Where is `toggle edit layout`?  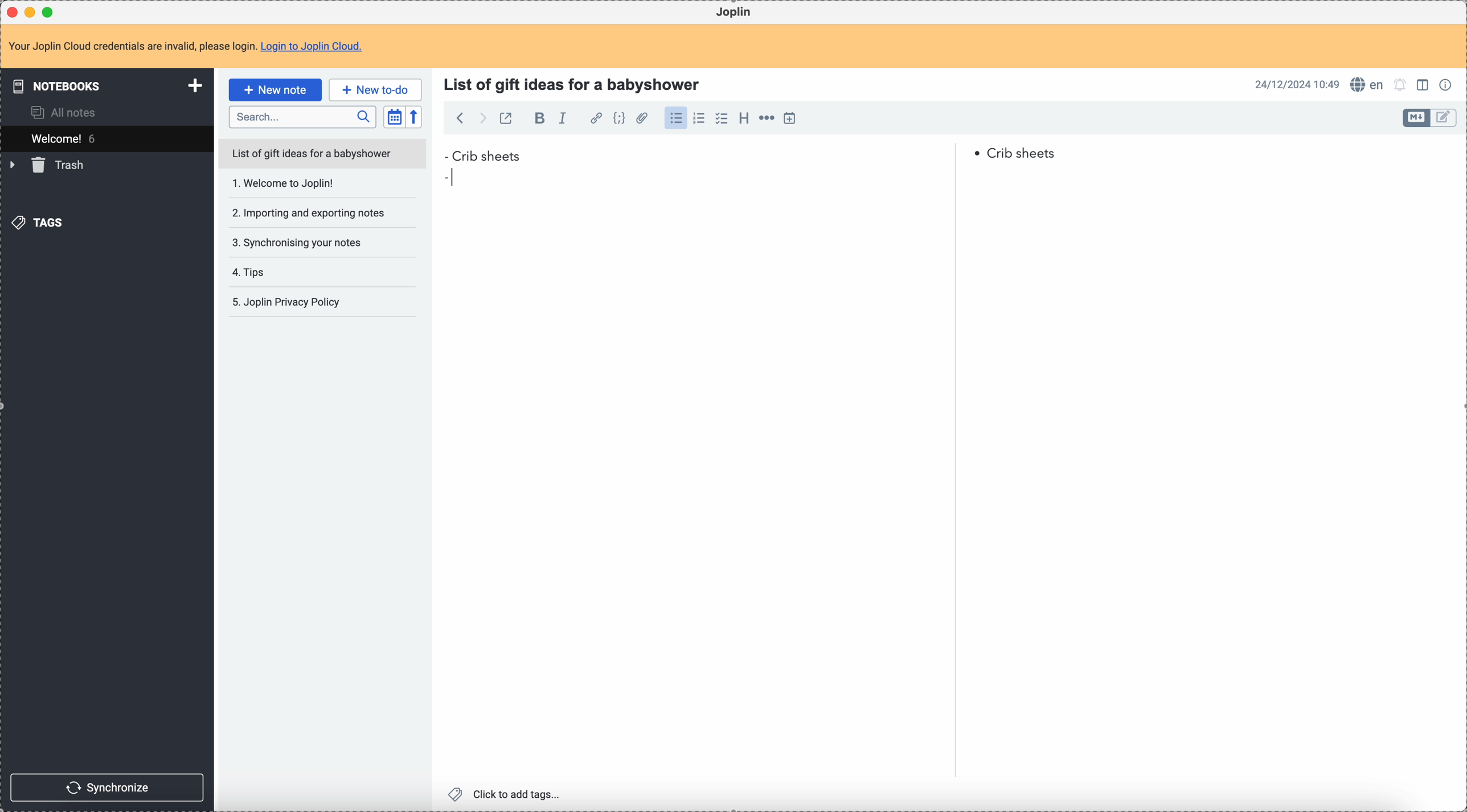
toggle edit layout is located at coordinates (1416, 118).